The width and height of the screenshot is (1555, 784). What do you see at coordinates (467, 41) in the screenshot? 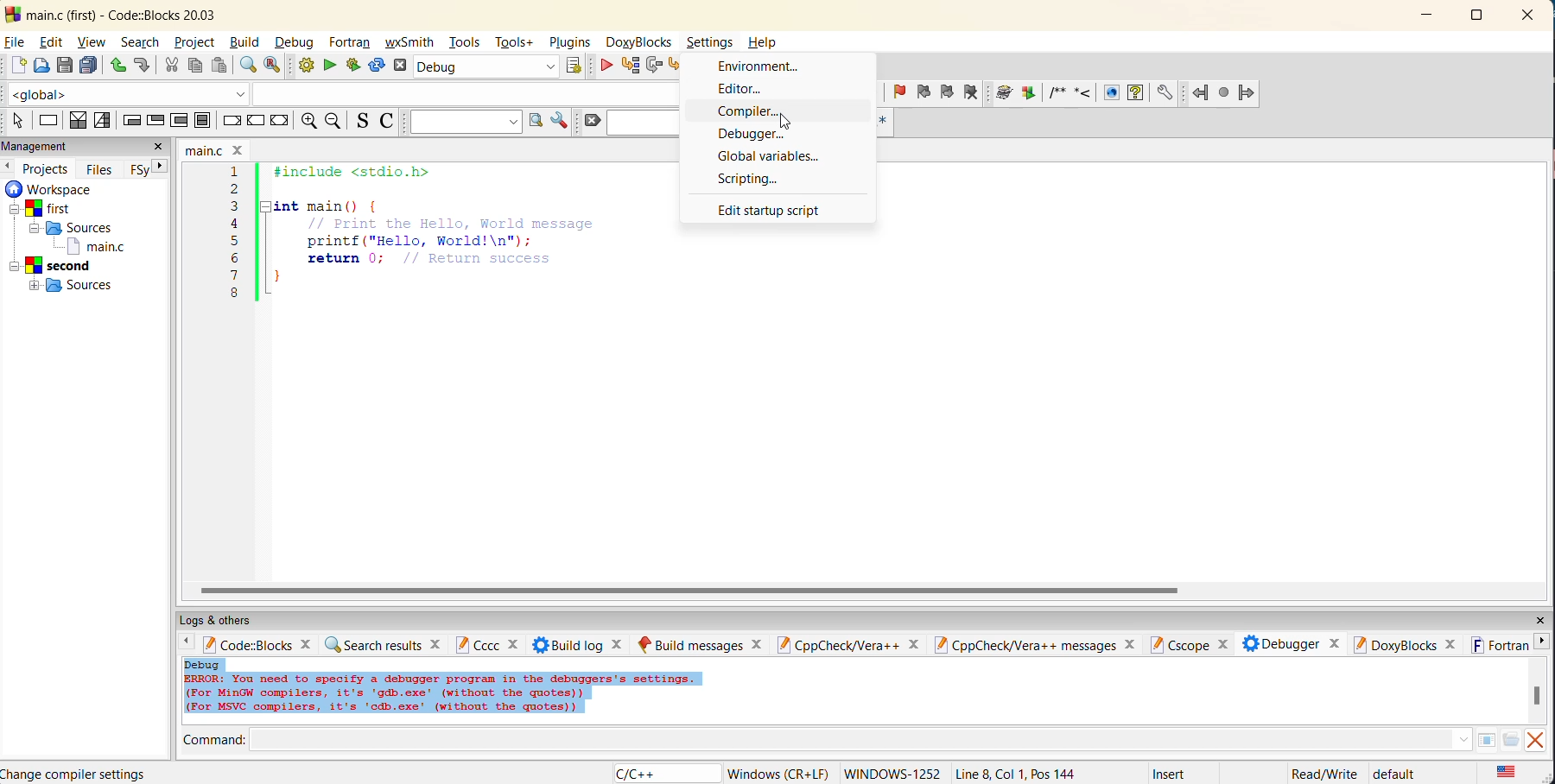
I see `tools` at bounding box center [467, 41].